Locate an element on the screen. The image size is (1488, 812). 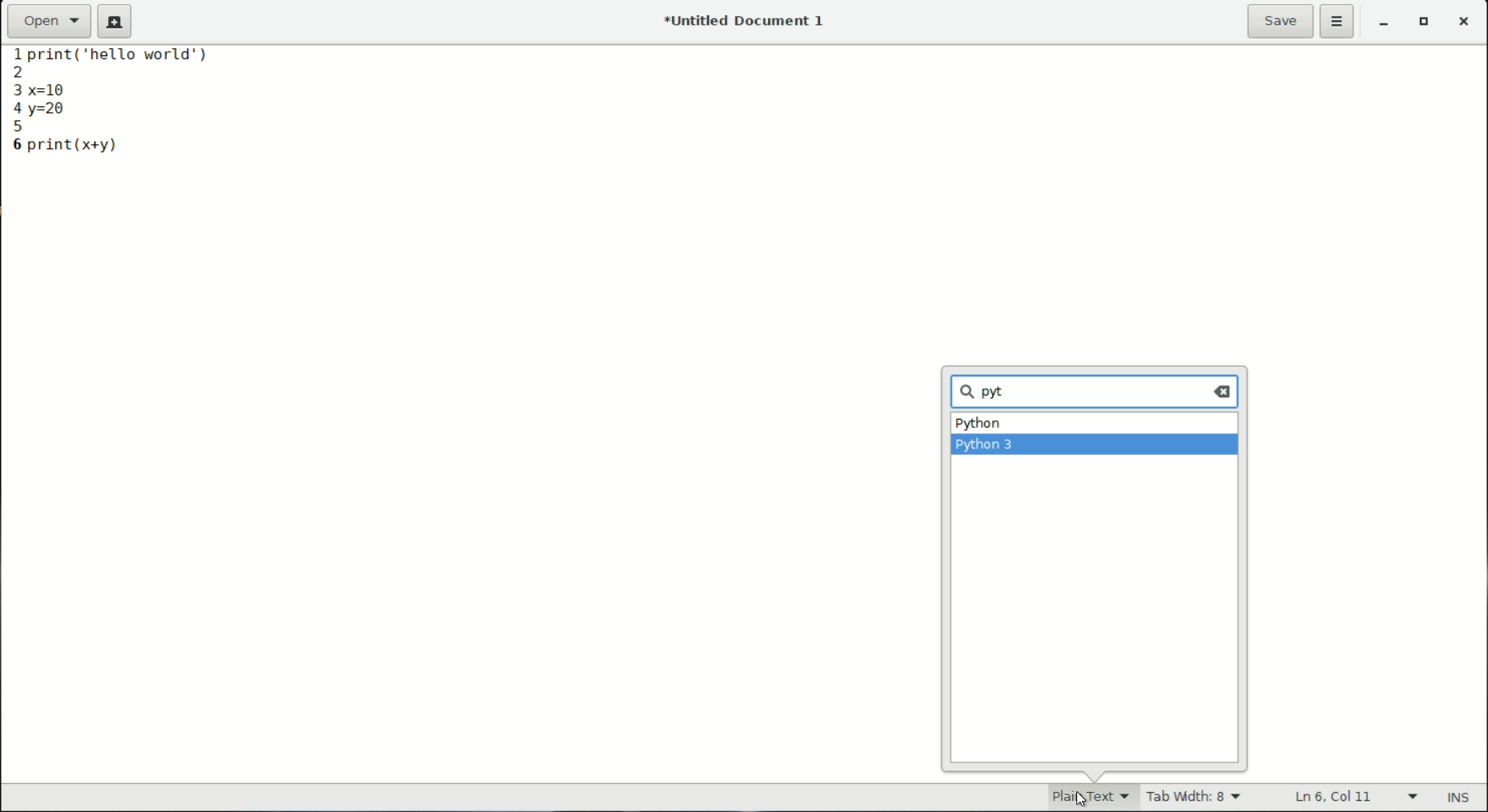
close app is located at coordinates (1466, 24).